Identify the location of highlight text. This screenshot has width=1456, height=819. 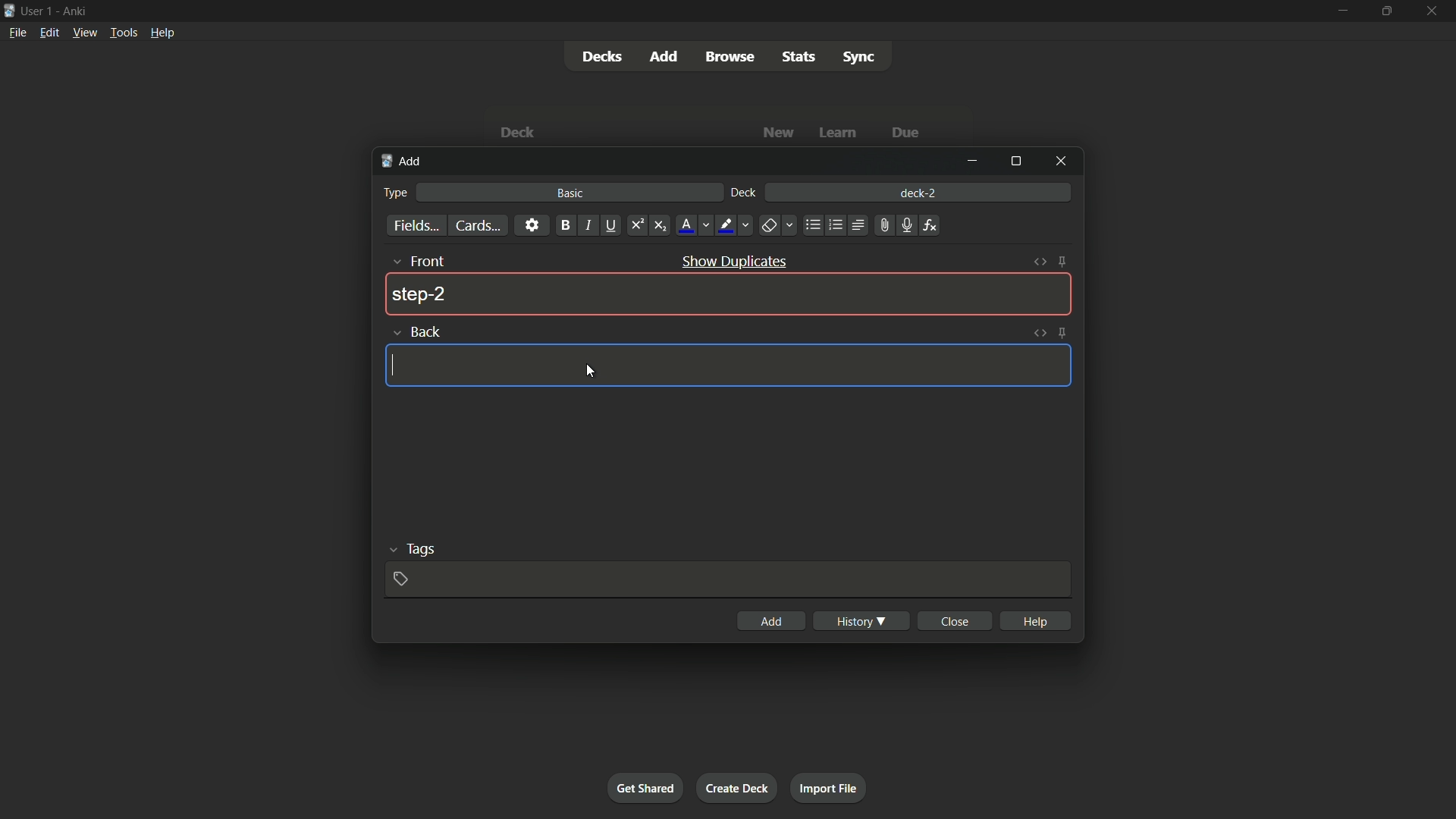
(734, 226).